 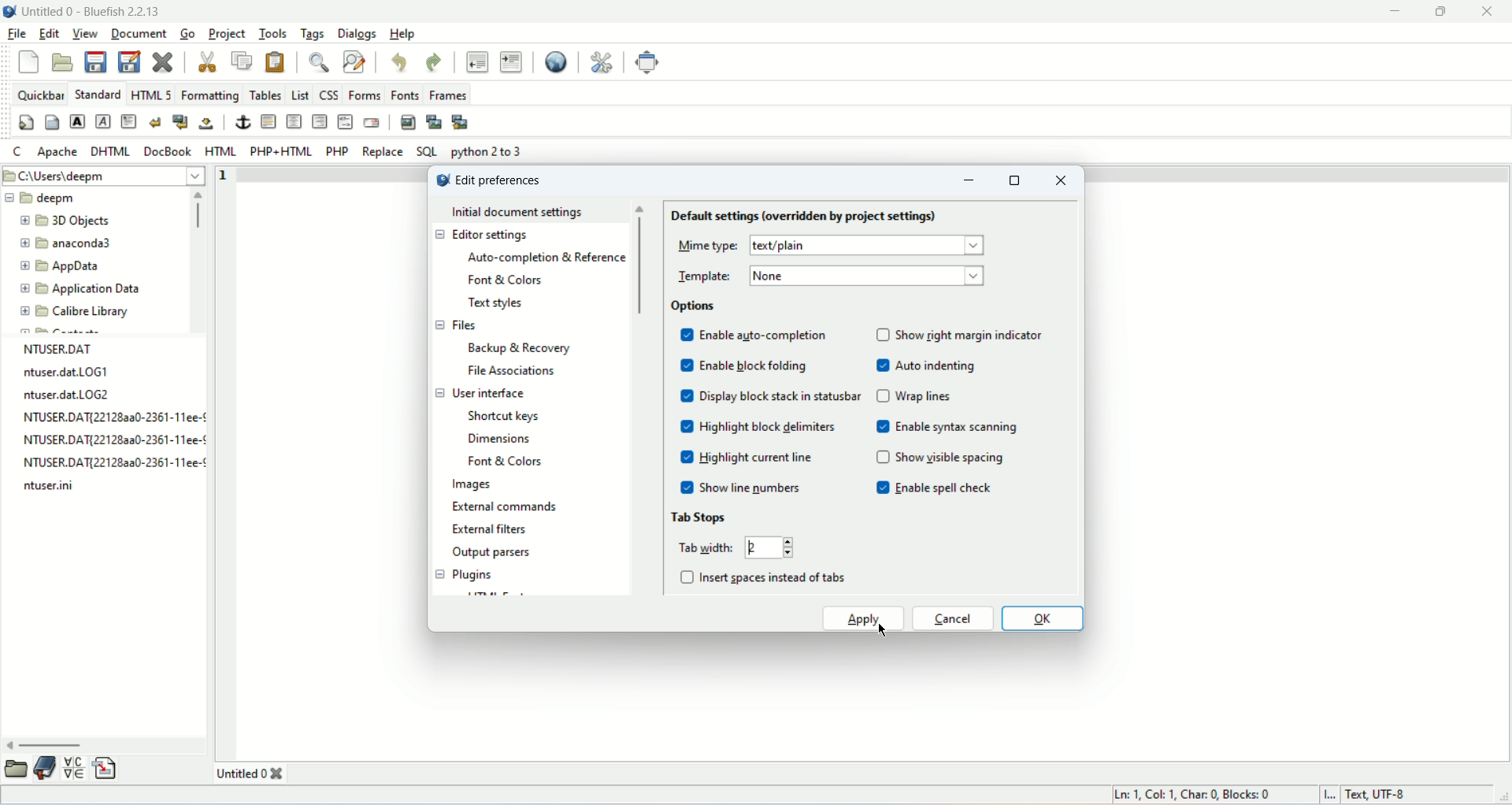 I want to click on paste, so click(x=278, y=61).